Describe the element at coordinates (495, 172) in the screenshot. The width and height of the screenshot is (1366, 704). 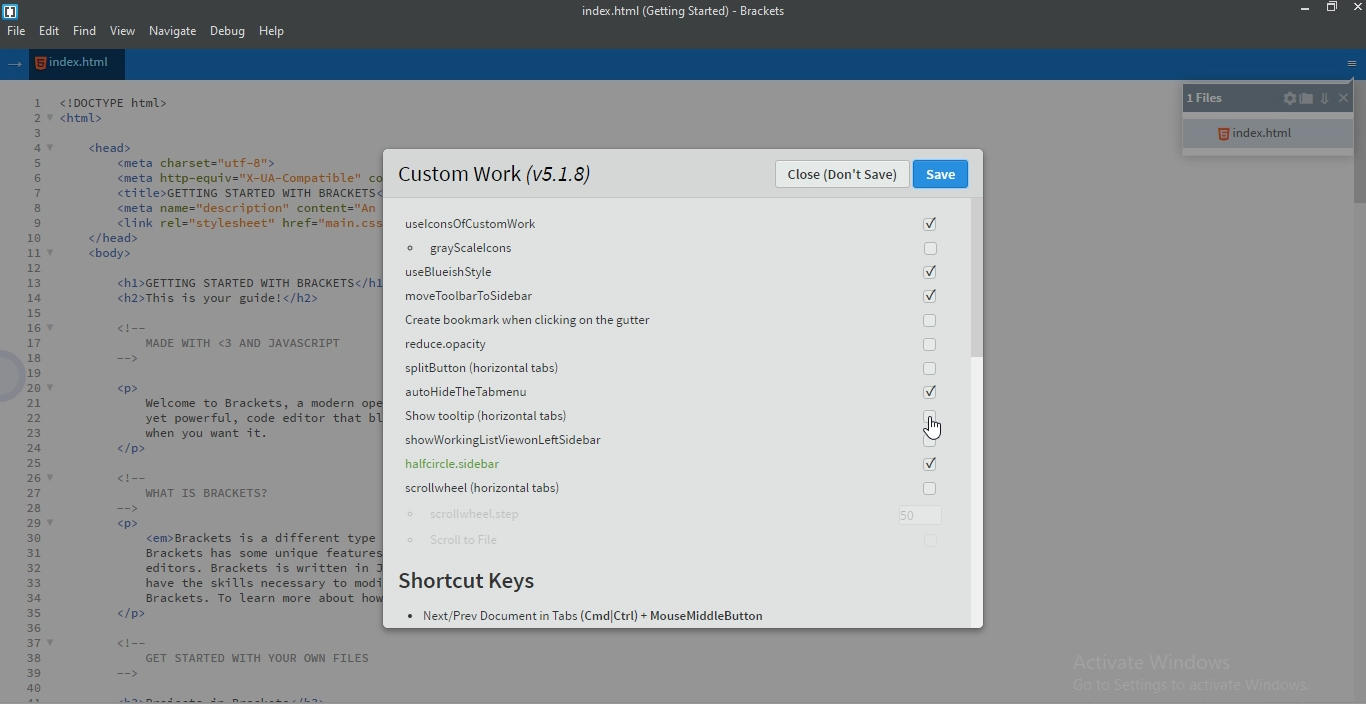
I see `Custom Work (v5.1.8)` at that location.